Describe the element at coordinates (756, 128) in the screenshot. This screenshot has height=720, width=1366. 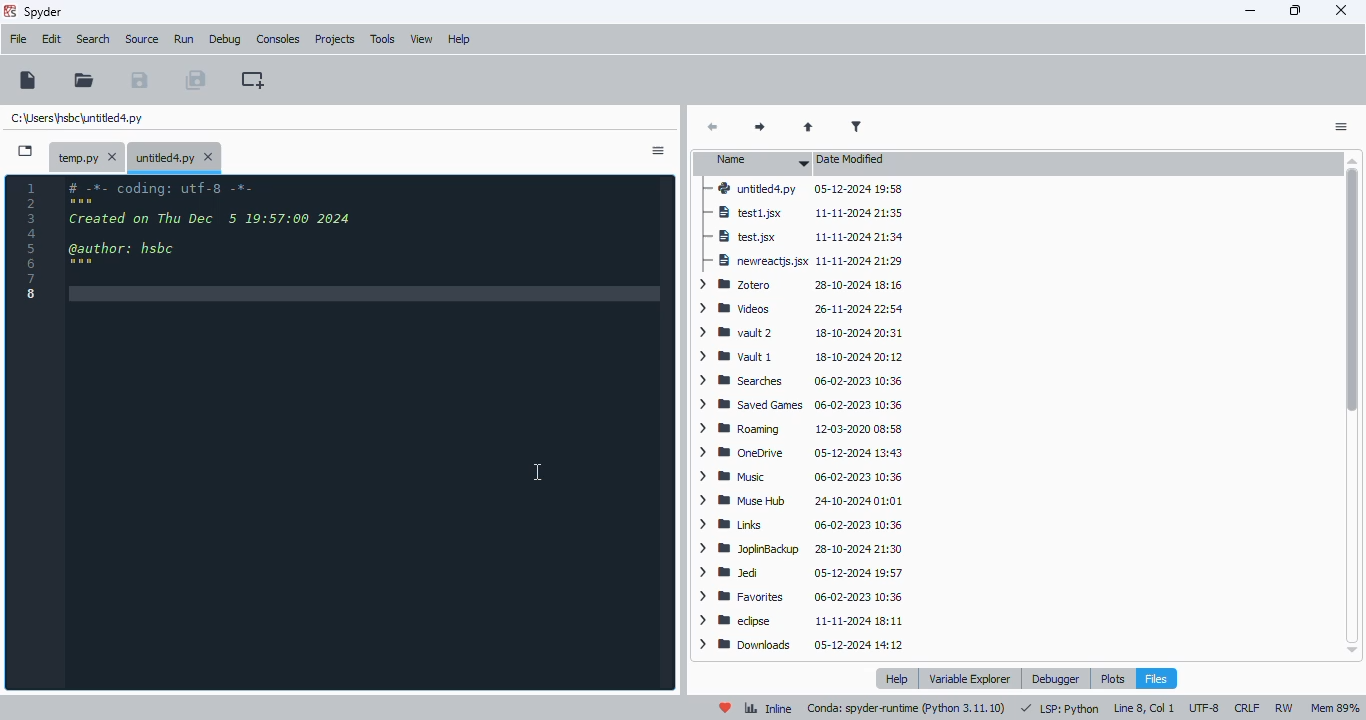
I see `next` at that location.